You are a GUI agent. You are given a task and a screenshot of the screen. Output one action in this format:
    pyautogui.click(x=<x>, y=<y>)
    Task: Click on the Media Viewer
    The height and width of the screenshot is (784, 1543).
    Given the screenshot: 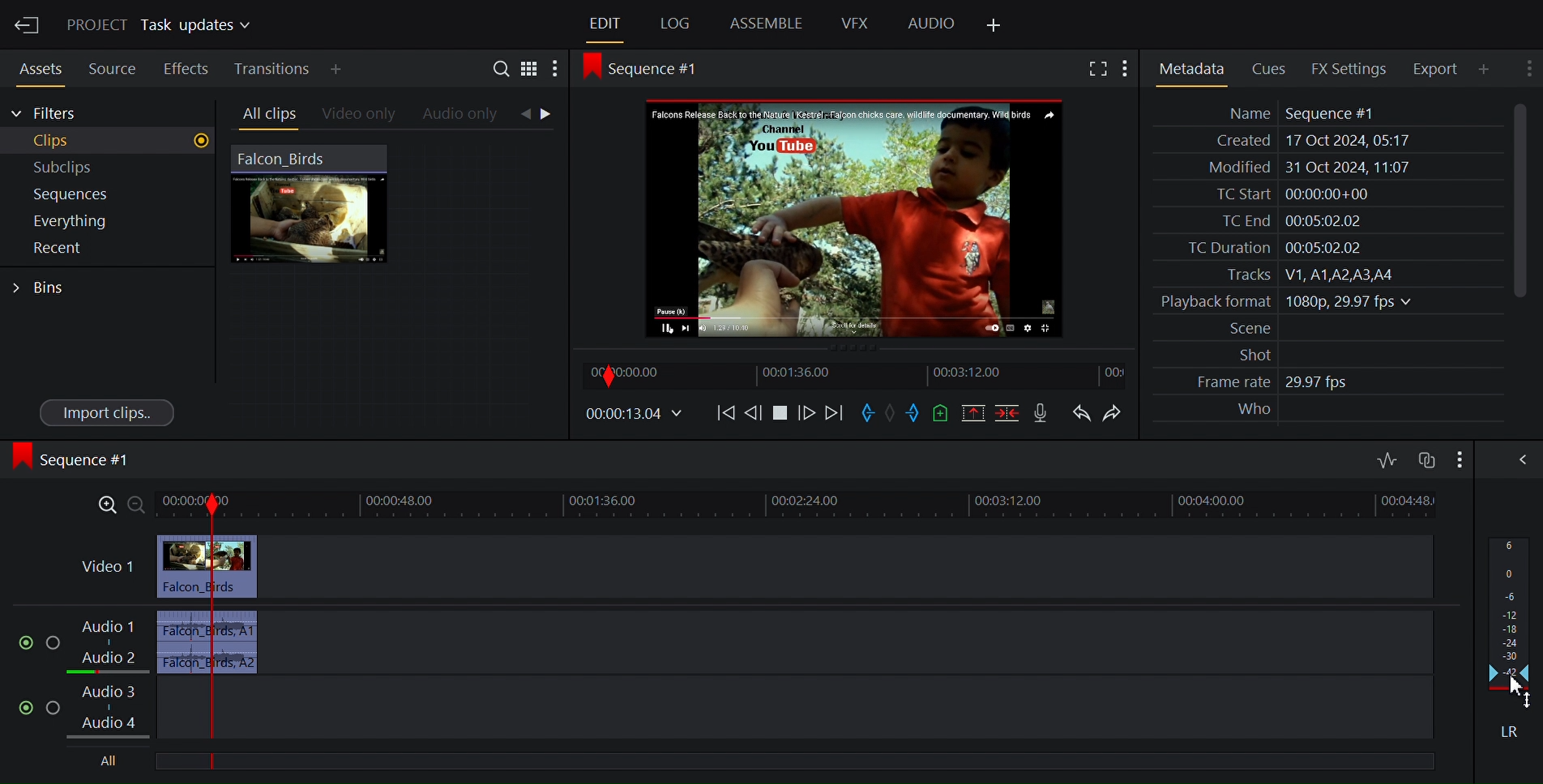 What is the action you would take?
    pyautogui.click(x=853, y=217)
    